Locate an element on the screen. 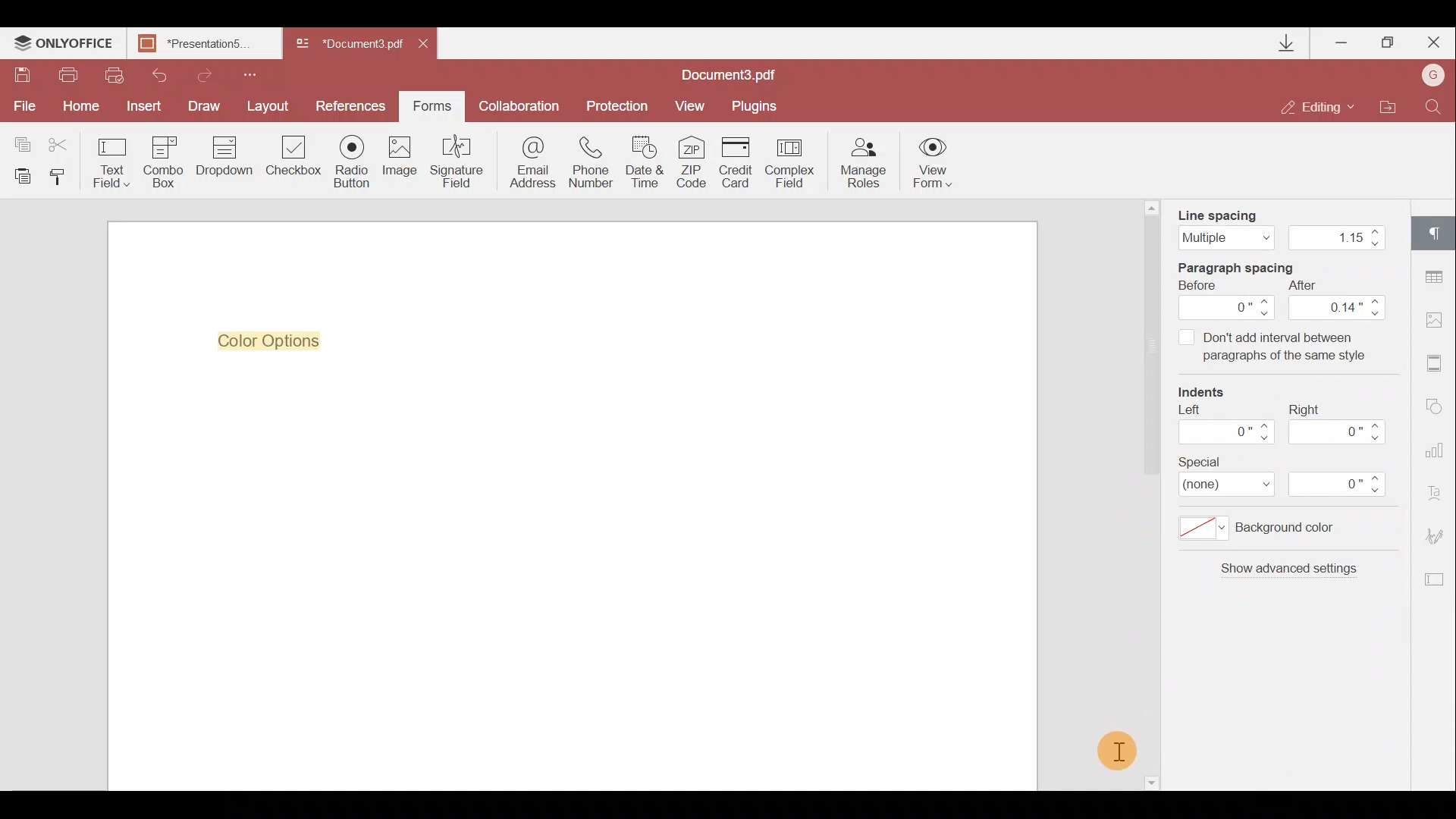 The image size is (1456, 819). Cursor is located at coordinates (1119, 751).